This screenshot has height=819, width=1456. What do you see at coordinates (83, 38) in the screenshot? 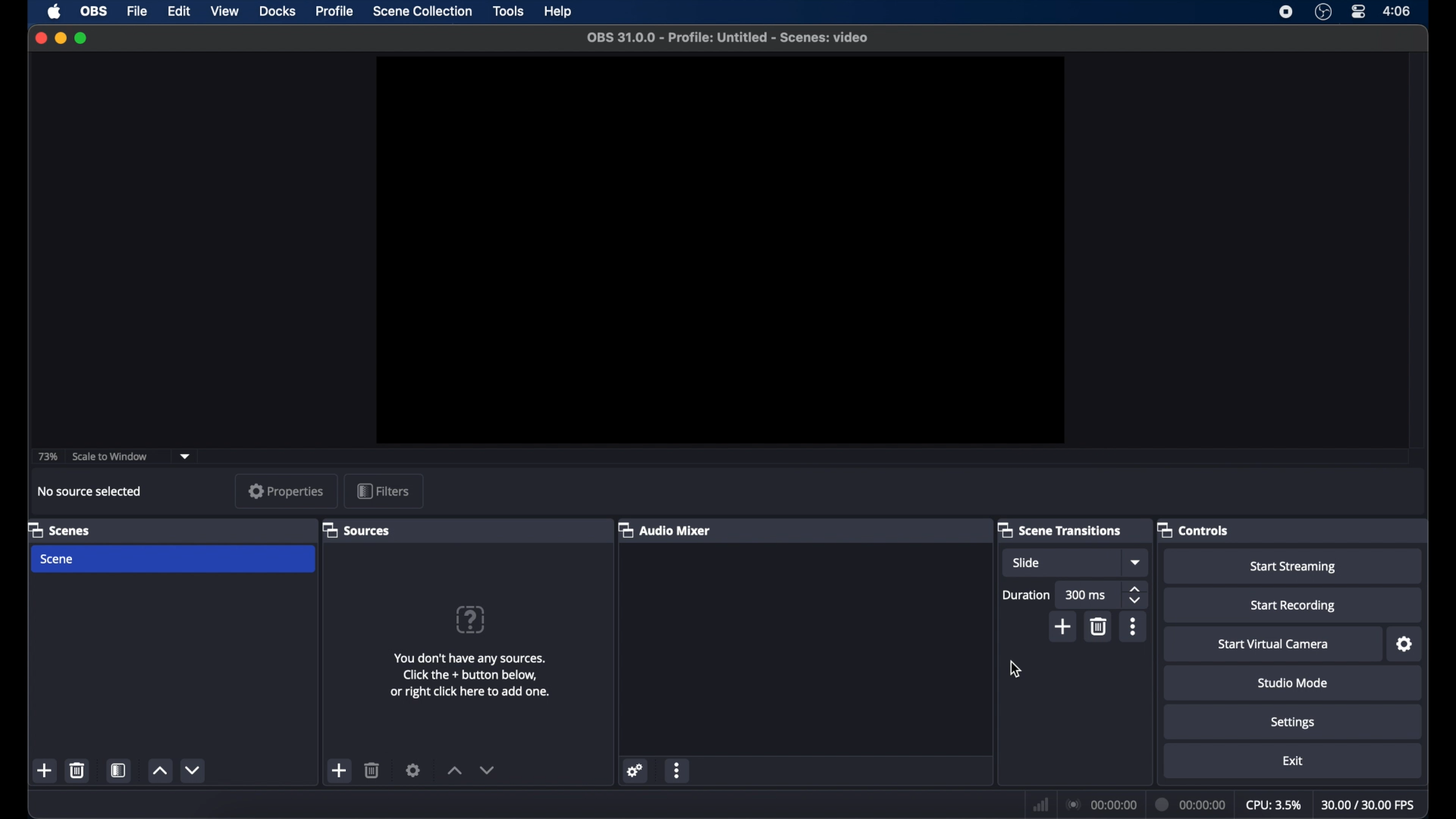
I see `maximize` at bounding box center [83, 38].